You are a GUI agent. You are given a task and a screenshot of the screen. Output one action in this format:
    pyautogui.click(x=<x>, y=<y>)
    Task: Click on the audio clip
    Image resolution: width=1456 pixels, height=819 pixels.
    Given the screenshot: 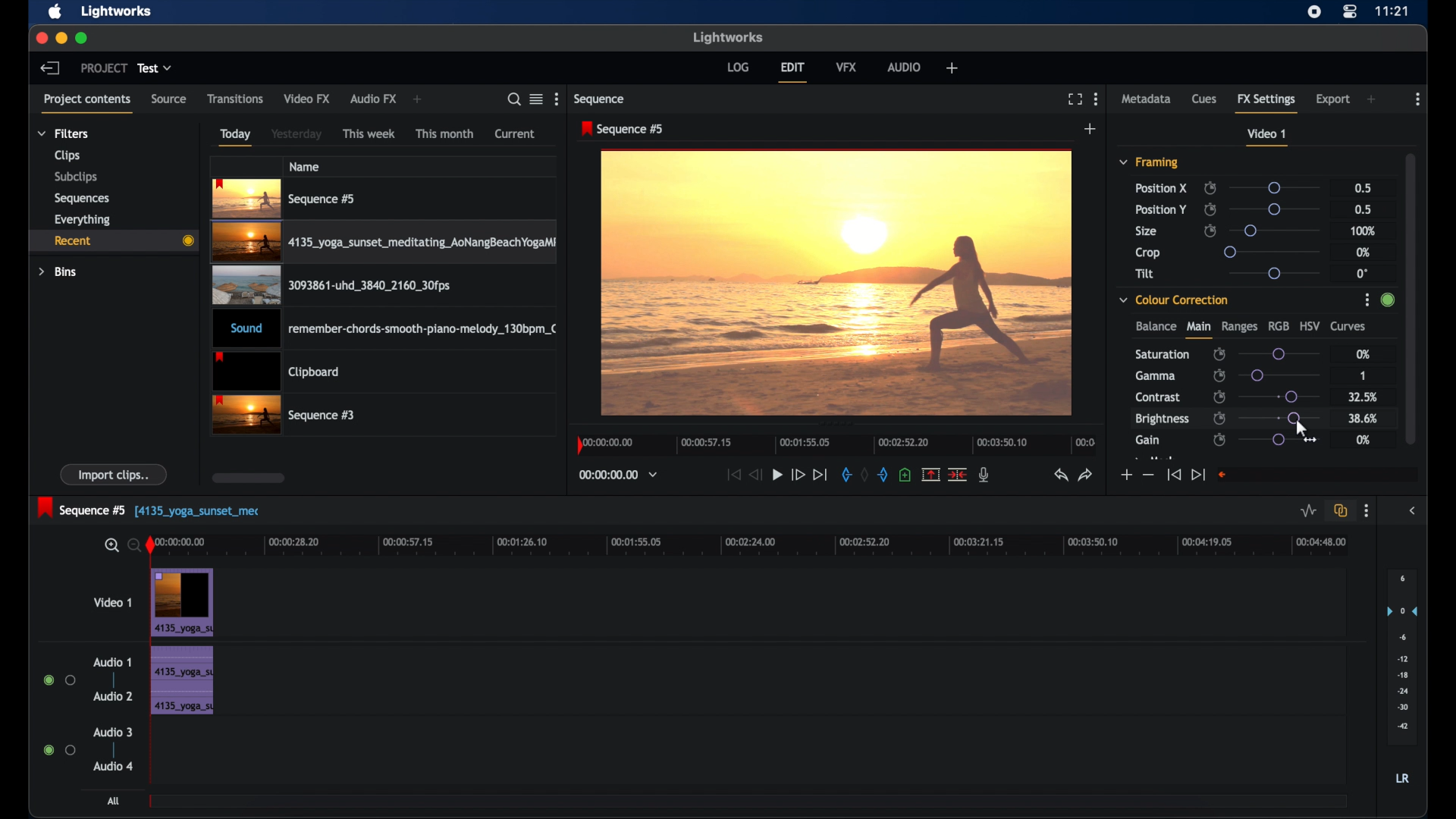 What is the action you would take?
    pyautogui.click(x=387, y=330)
    